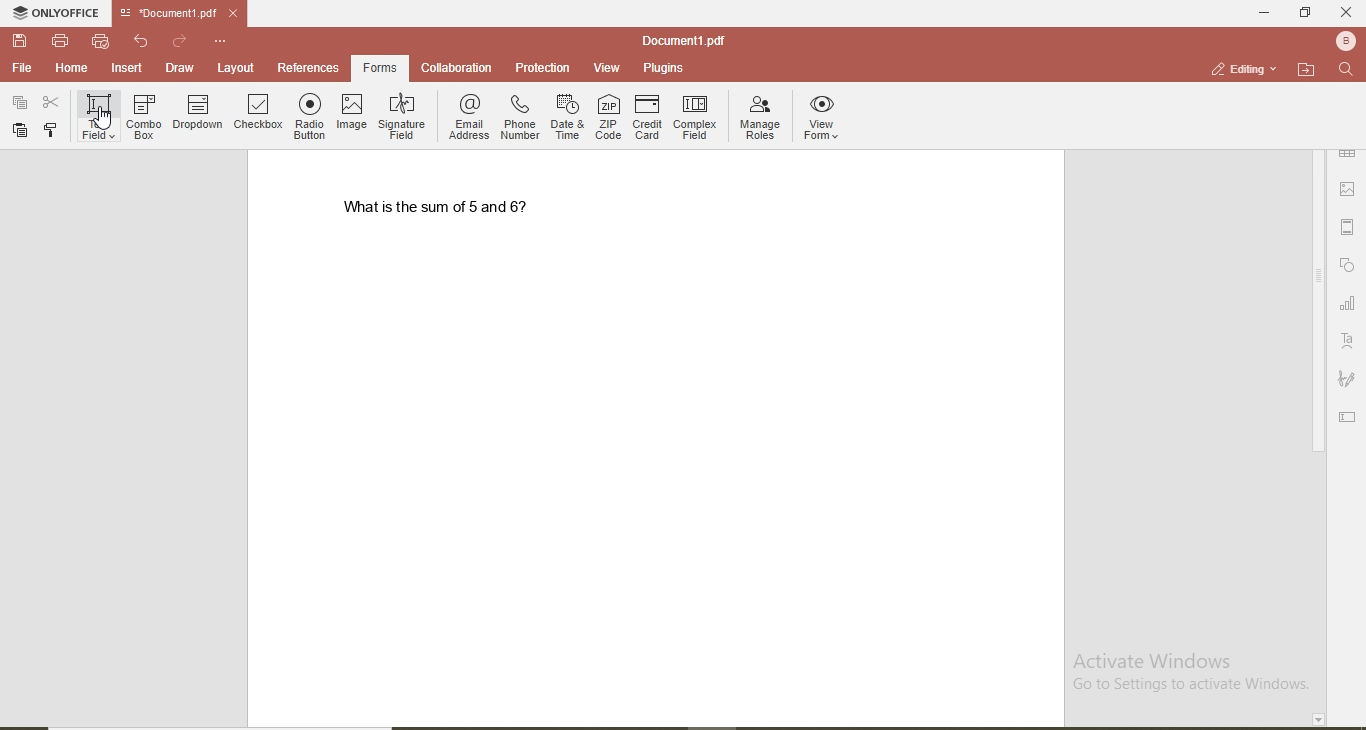 This screenshot has height=730, width=1366. I want to click on references, so click(309, 69).